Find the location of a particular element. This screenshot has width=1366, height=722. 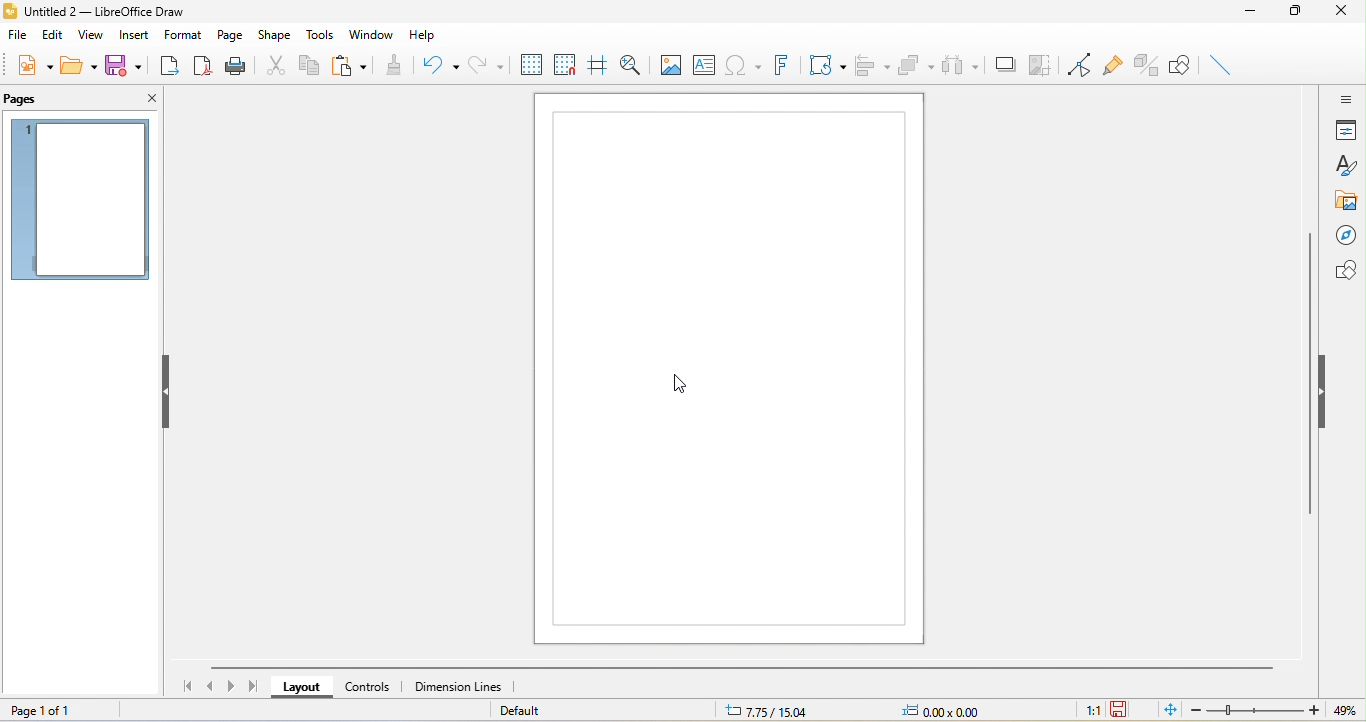

the document has not been modified since the last save is located at coordinates (1125, 708).